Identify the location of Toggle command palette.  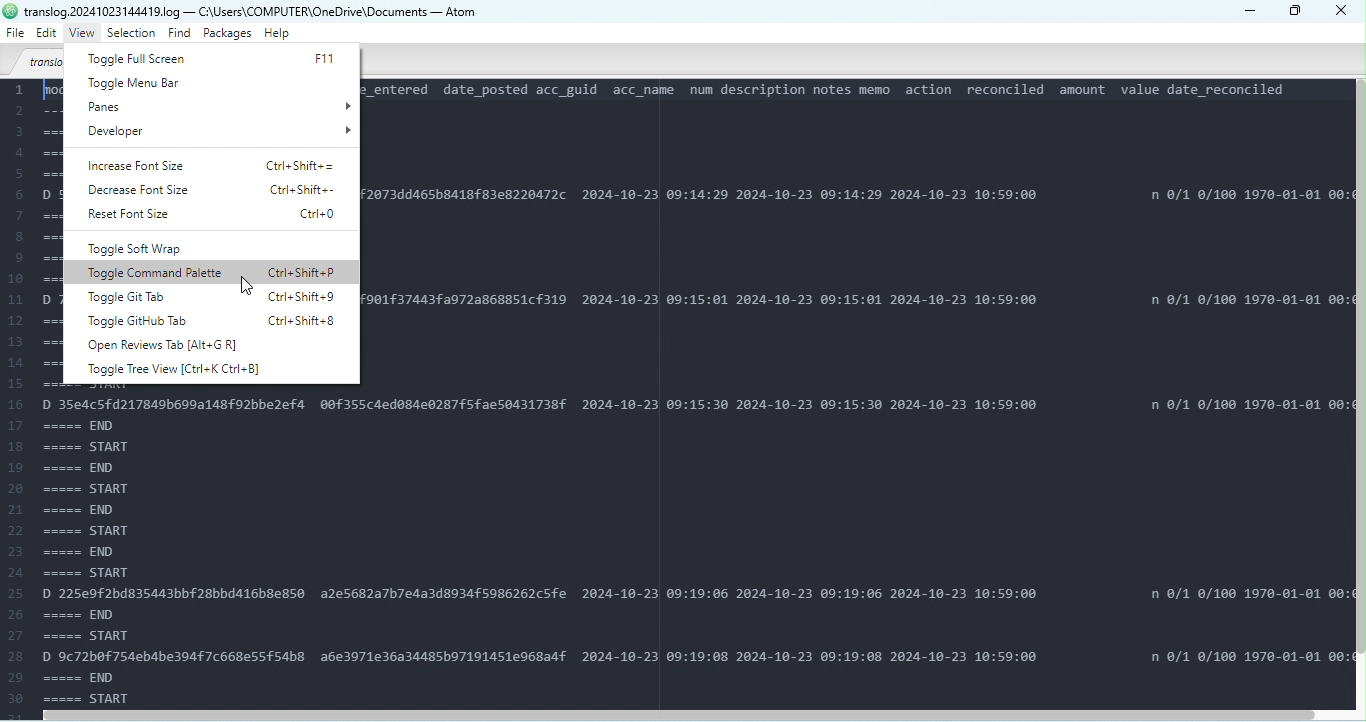
(210, 274).